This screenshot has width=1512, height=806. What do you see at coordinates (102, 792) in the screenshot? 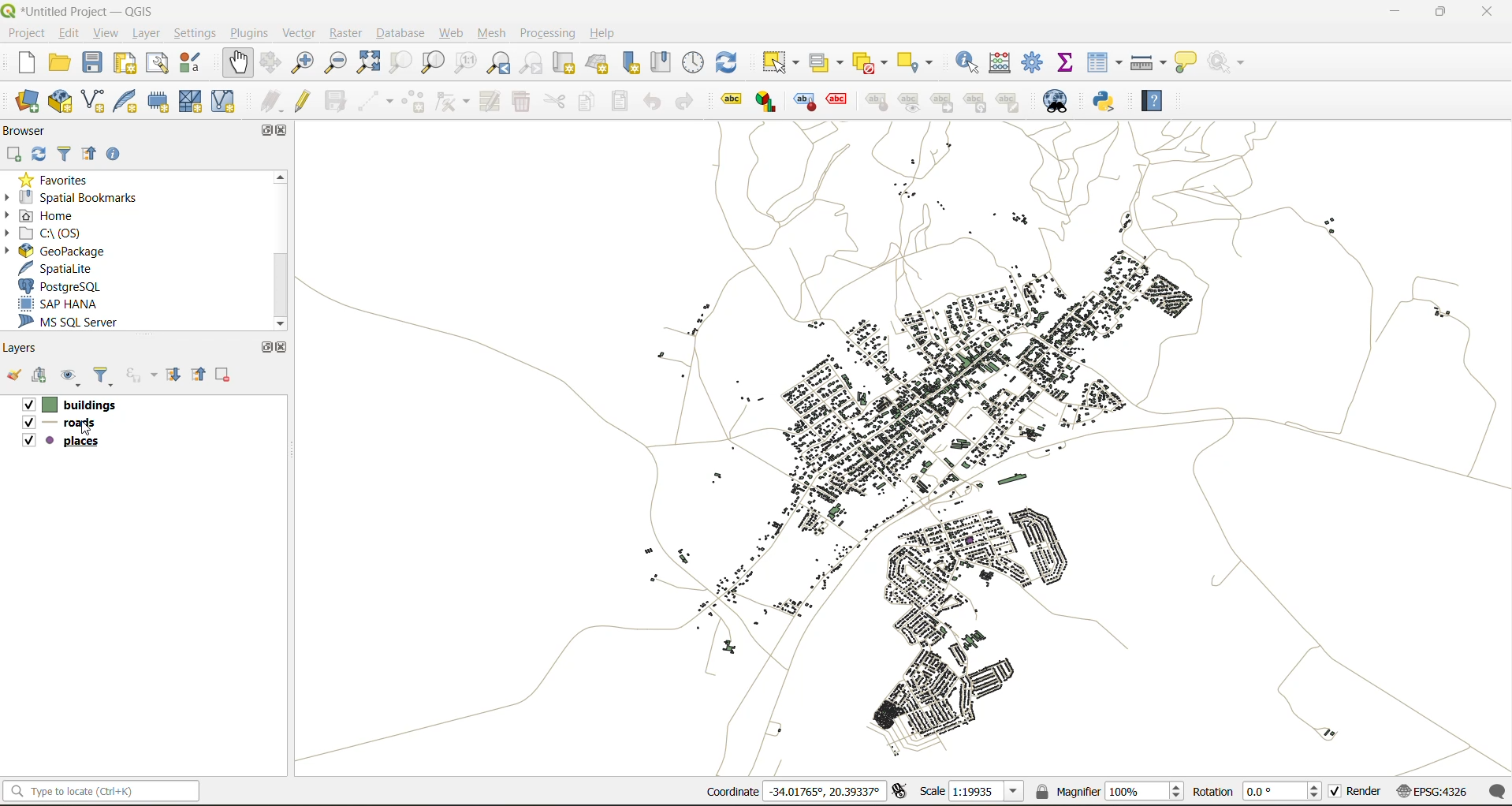
I see `status bar` at bounding box center [102, 792].